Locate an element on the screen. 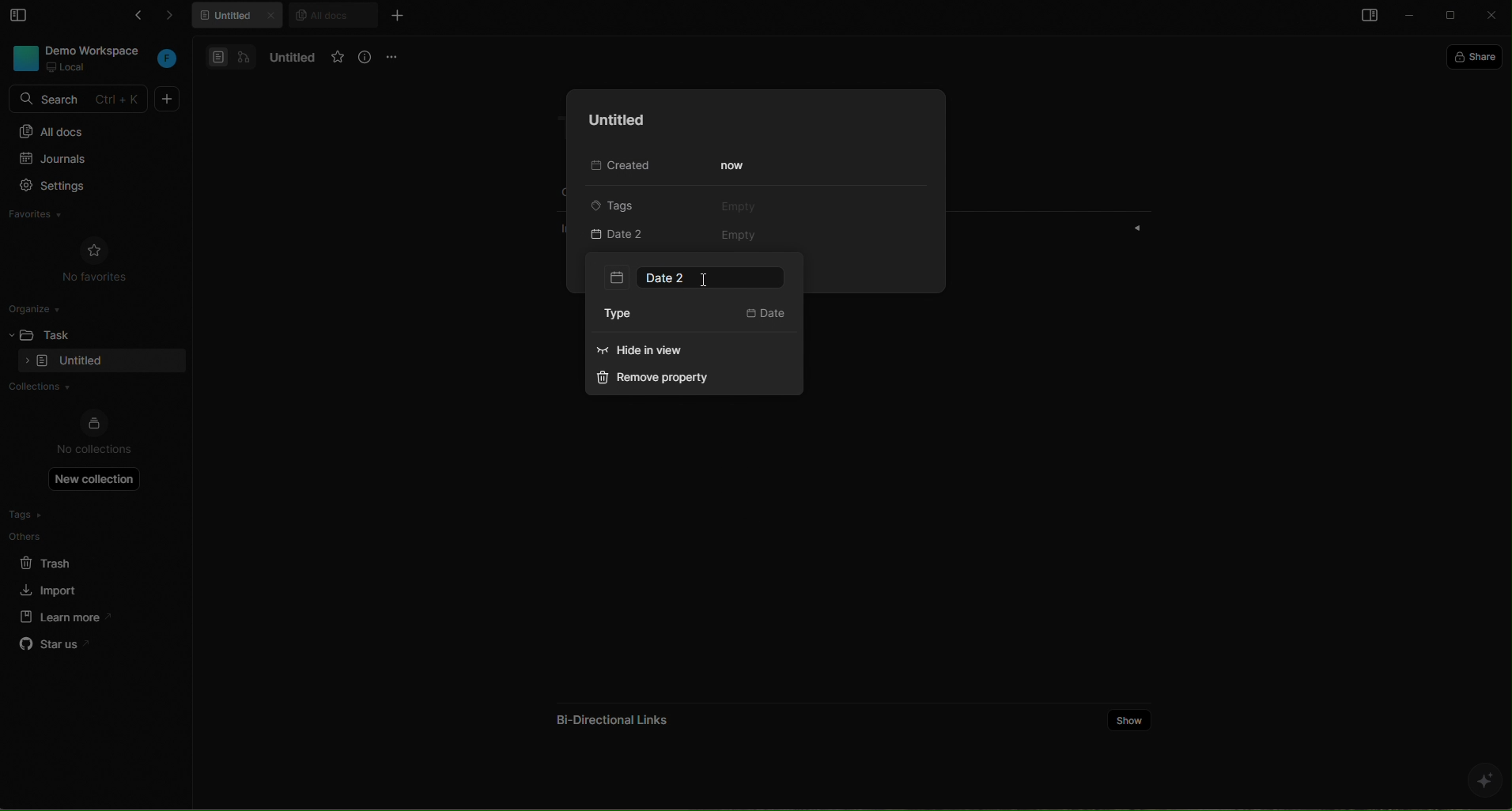 Image resolution: width=1512 pixels, height=811 pixels. all docs is located at coordinates (93, 130).